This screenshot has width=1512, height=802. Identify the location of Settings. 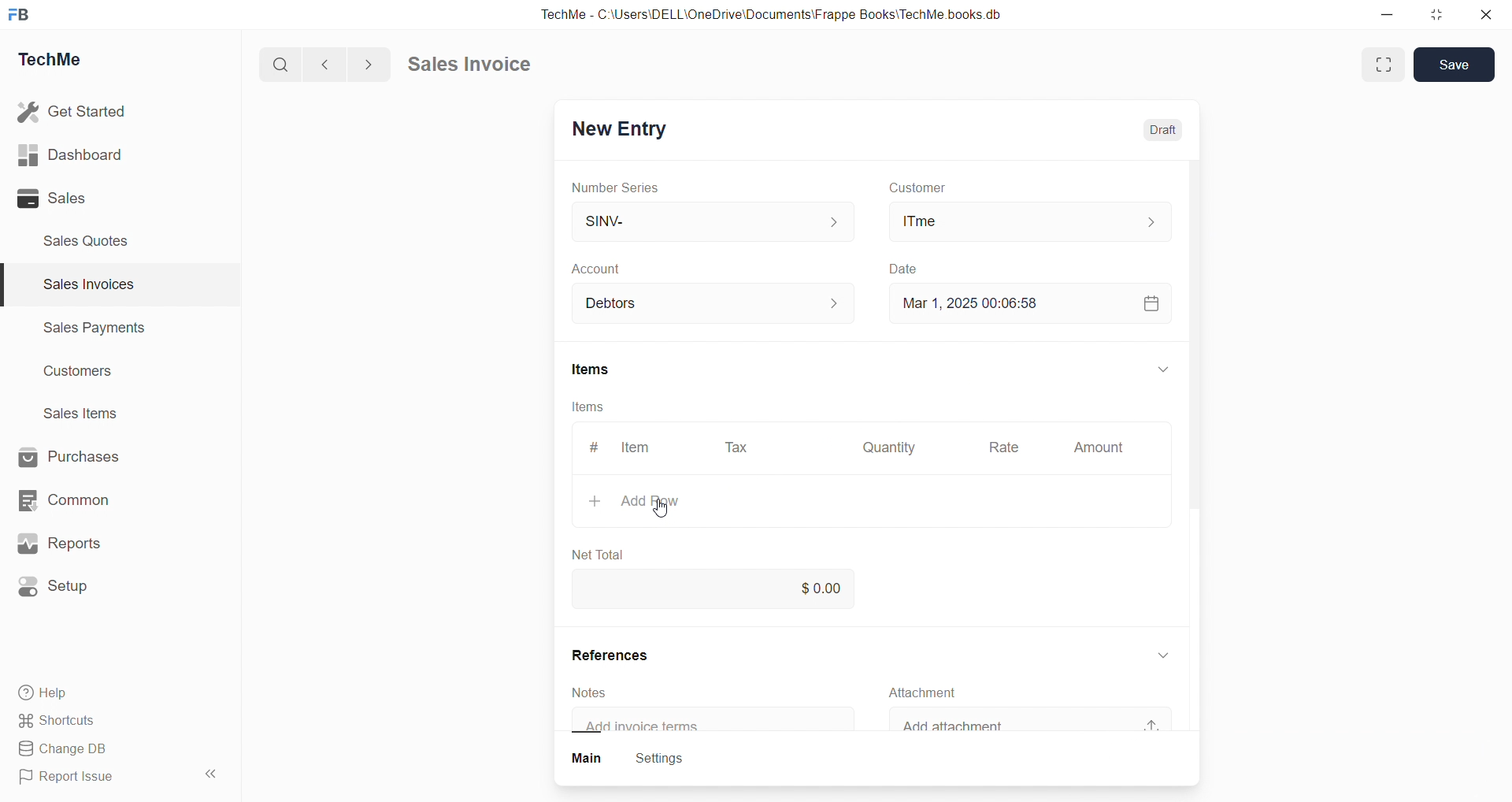
(669, 759).